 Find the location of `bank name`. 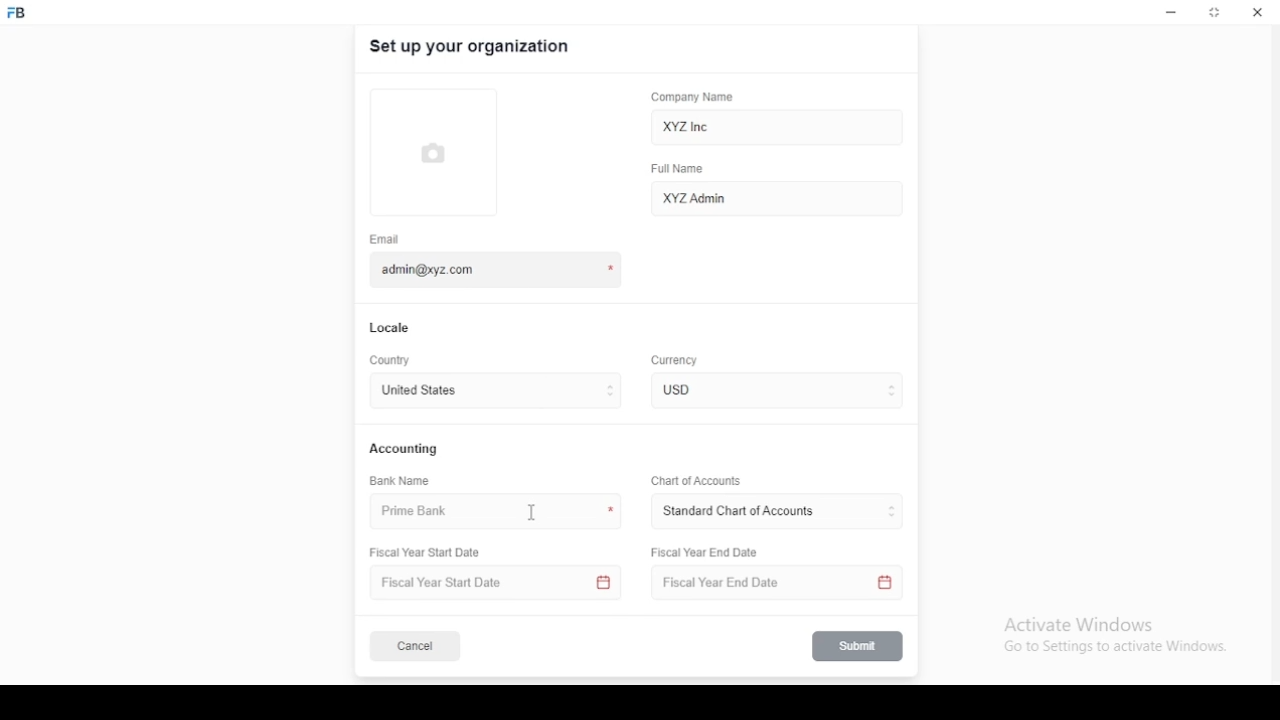

bank name is located at coordinates (401, 481).